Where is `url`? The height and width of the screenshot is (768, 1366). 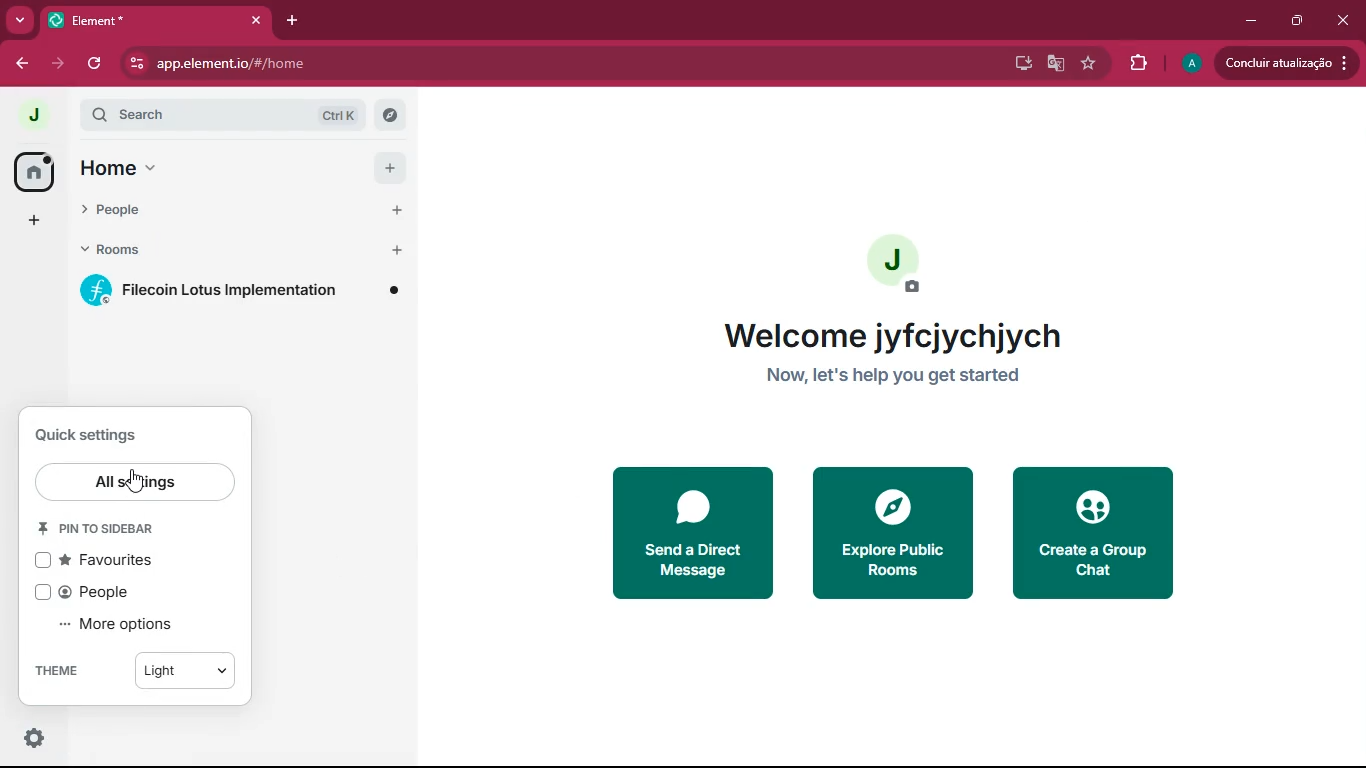 url is located at coordinates (289, 64).